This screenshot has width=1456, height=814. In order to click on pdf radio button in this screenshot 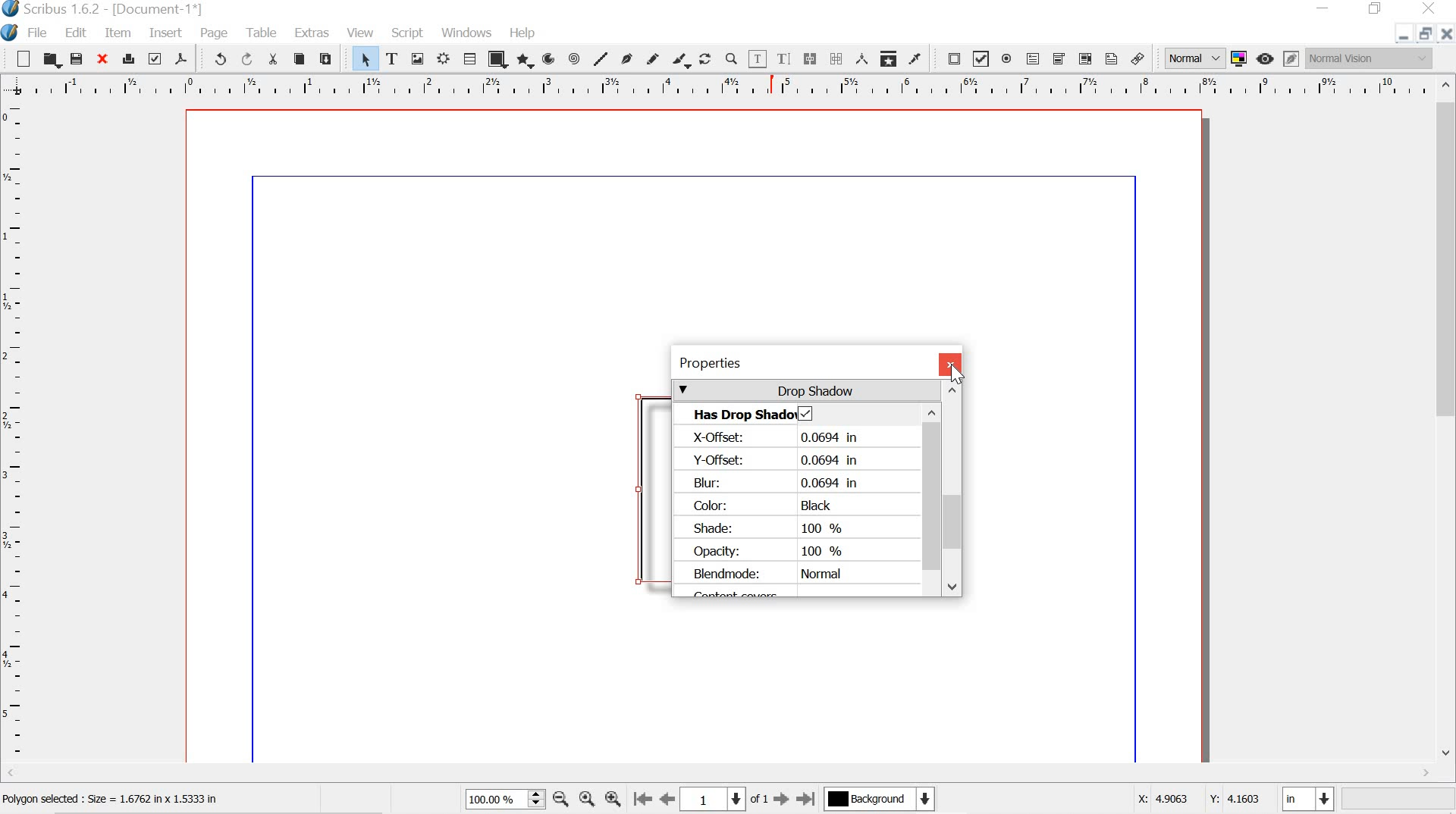, I will do `click(1006, 61)`.